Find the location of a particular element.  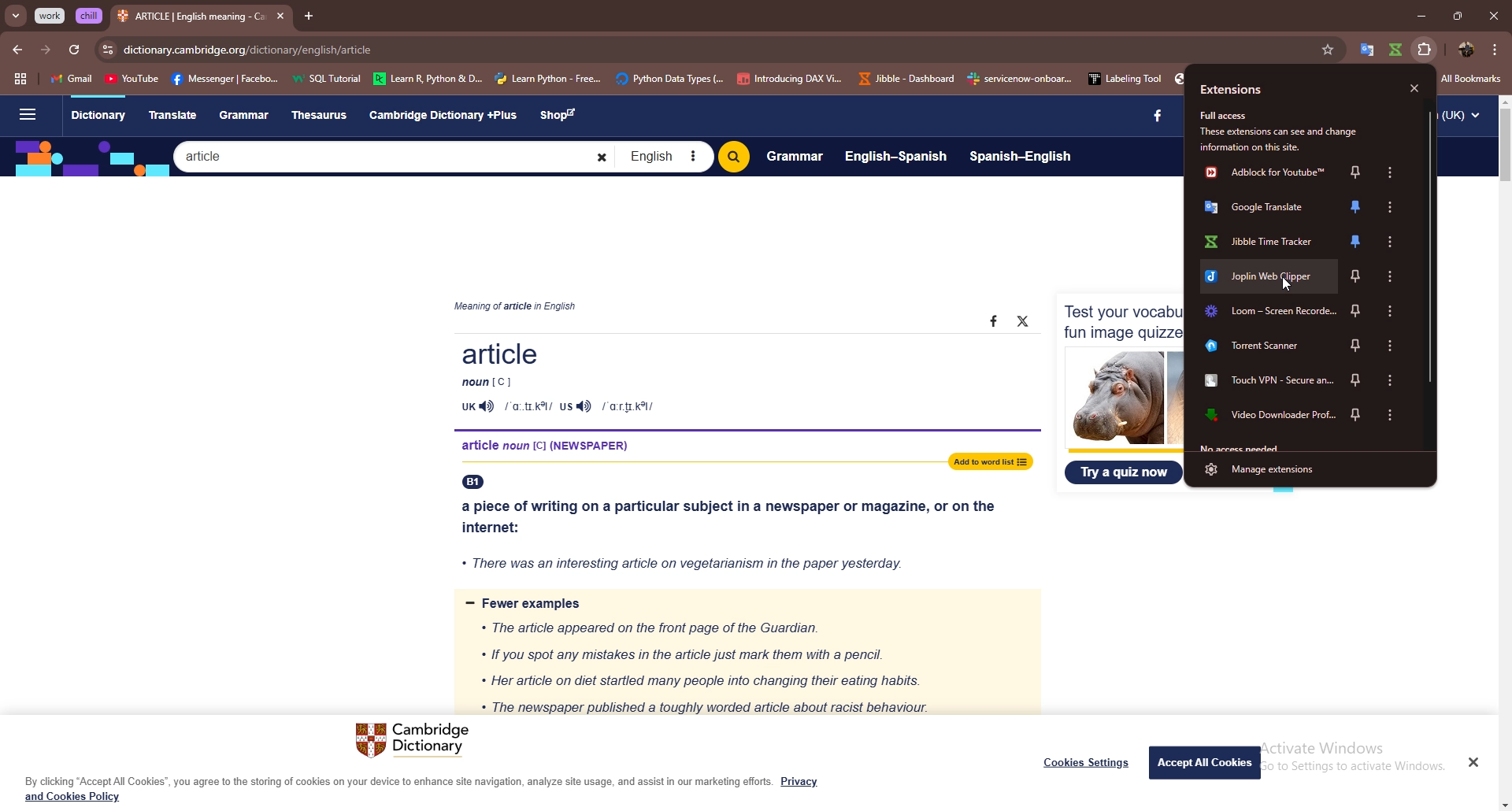

no access needed is located at coordinates (1243, 446).